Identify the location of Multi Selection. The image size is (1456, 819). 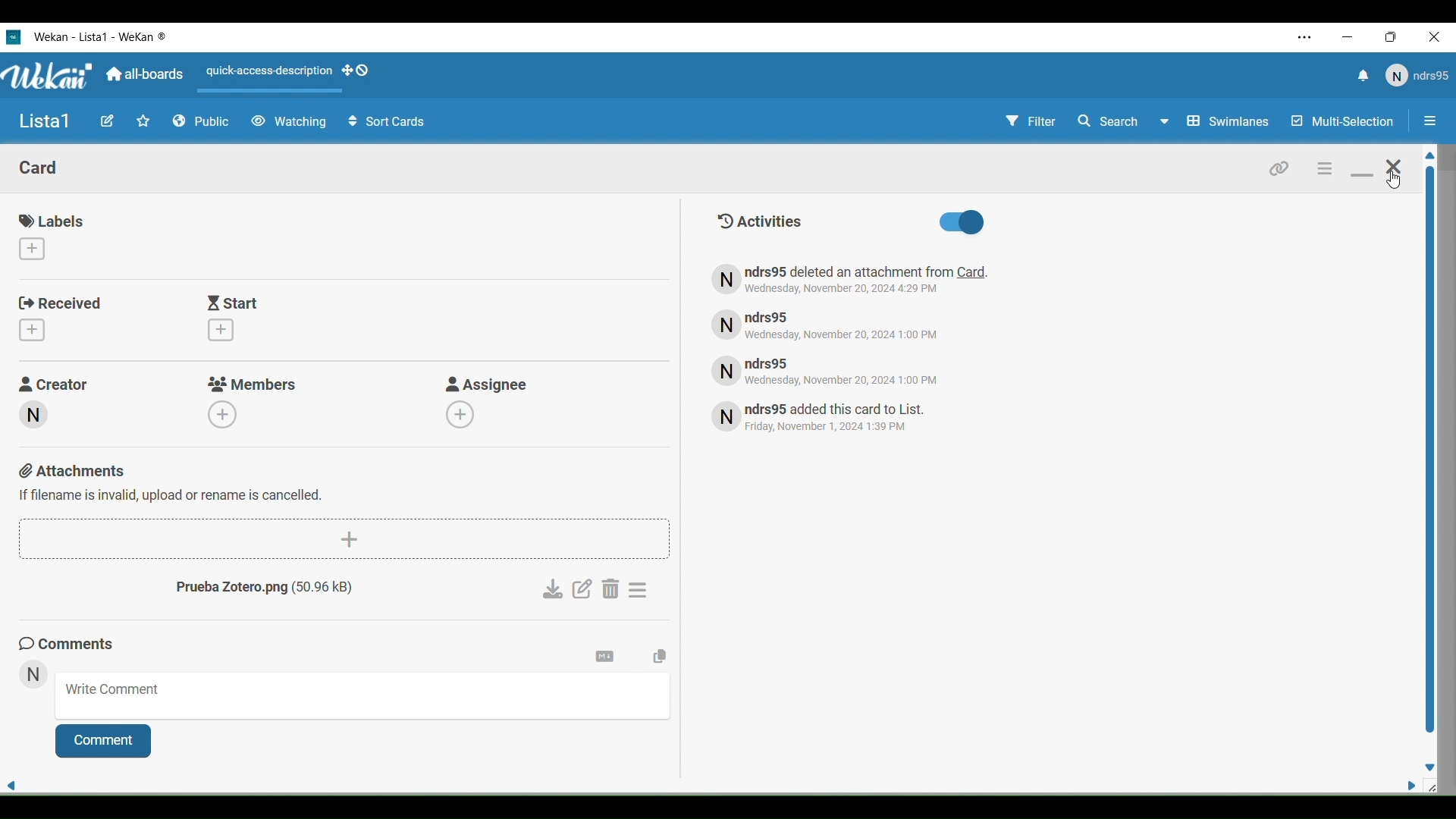
(1341, 122).